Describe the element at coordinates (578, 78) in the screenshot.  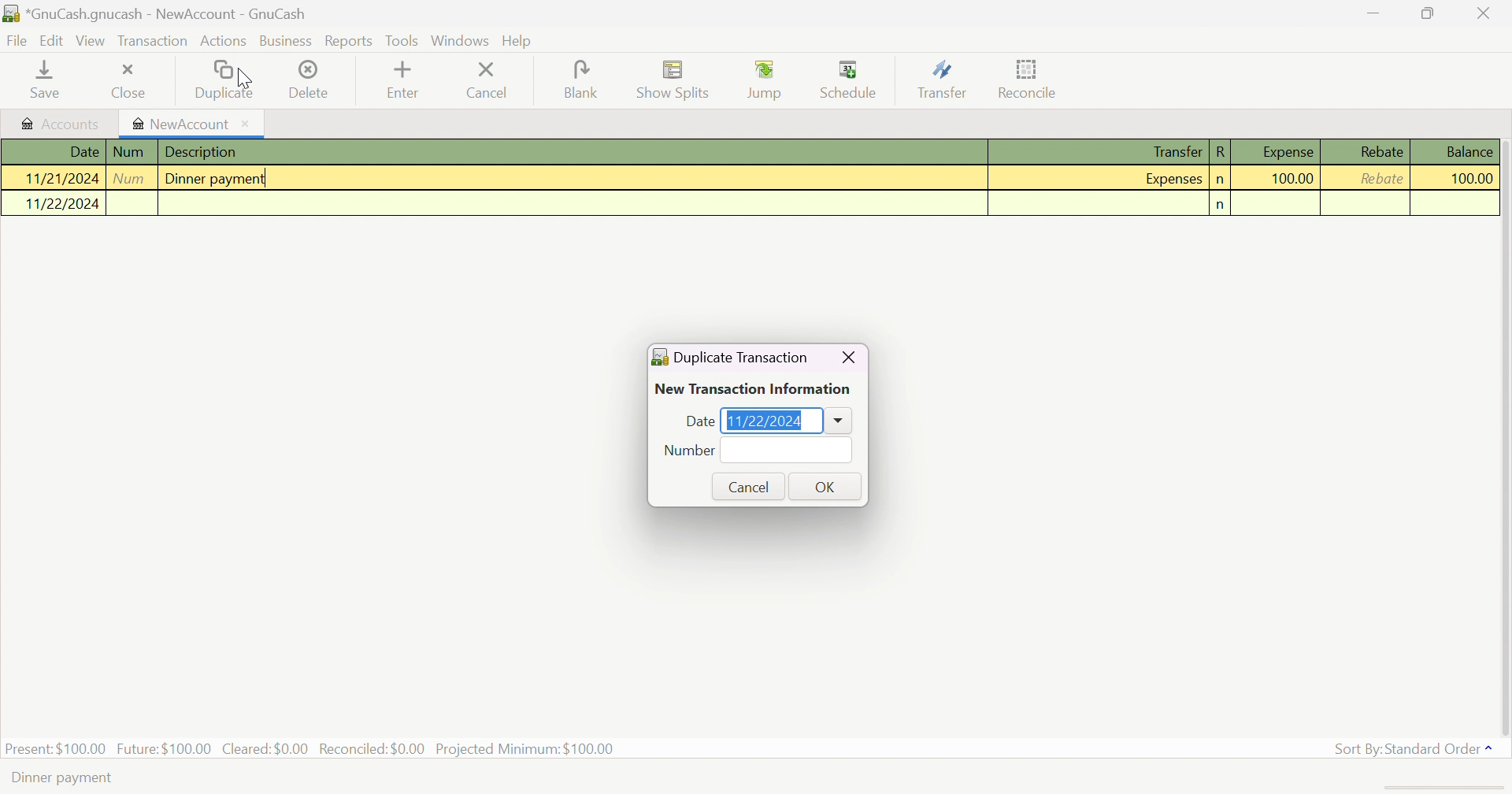
I see `Blank` at that location.